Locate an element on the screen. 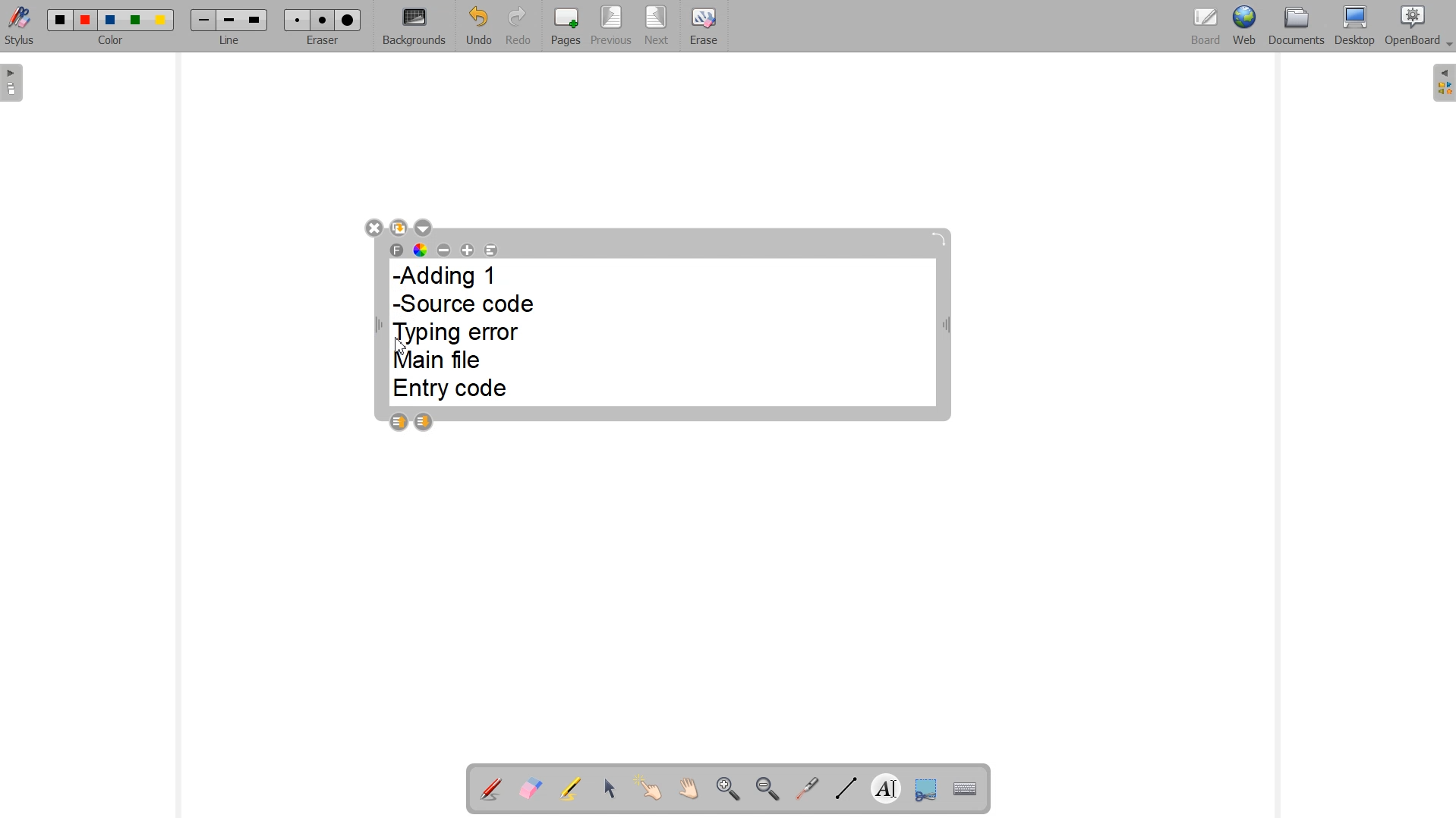 The width and height of the screenshot is (1456, 818). Zoom in is located at coordinates (726, 788).